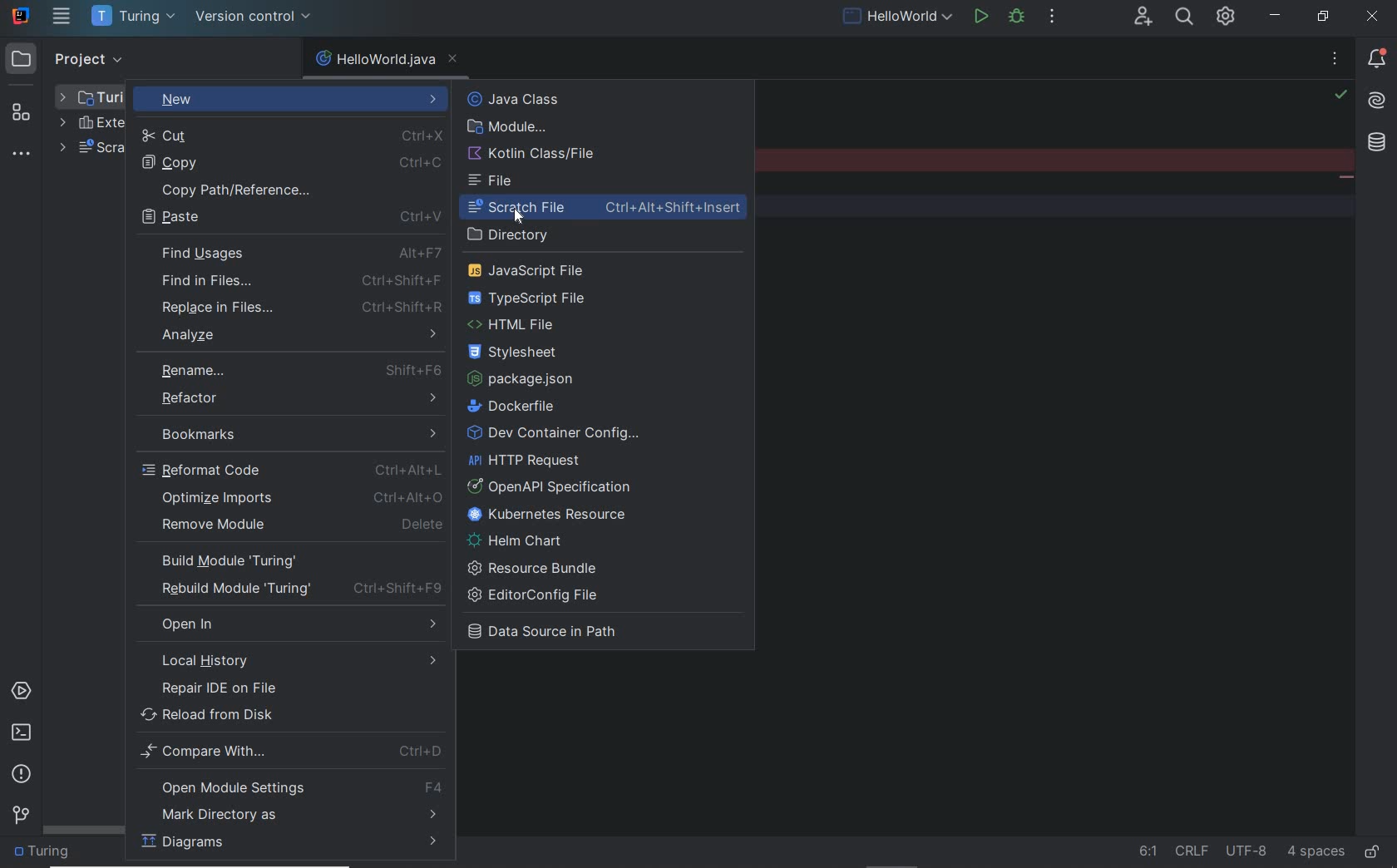 Image resolution: width=1397 pixels, height=868 pixels. I want to click on cursor, so click(520, 215).